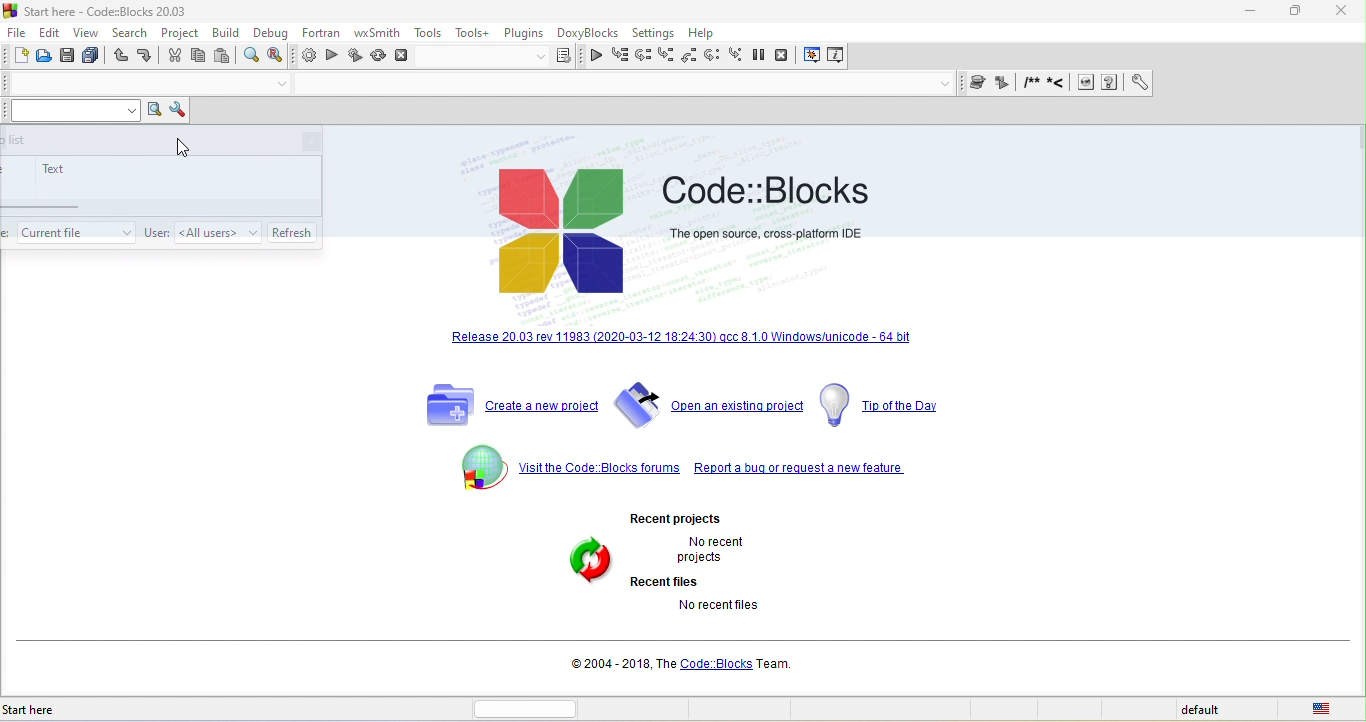  What do you see at coordinates (534, 708) in the screenshot?
I see `horizontal scroll bar` at bounding box center [534, 708].